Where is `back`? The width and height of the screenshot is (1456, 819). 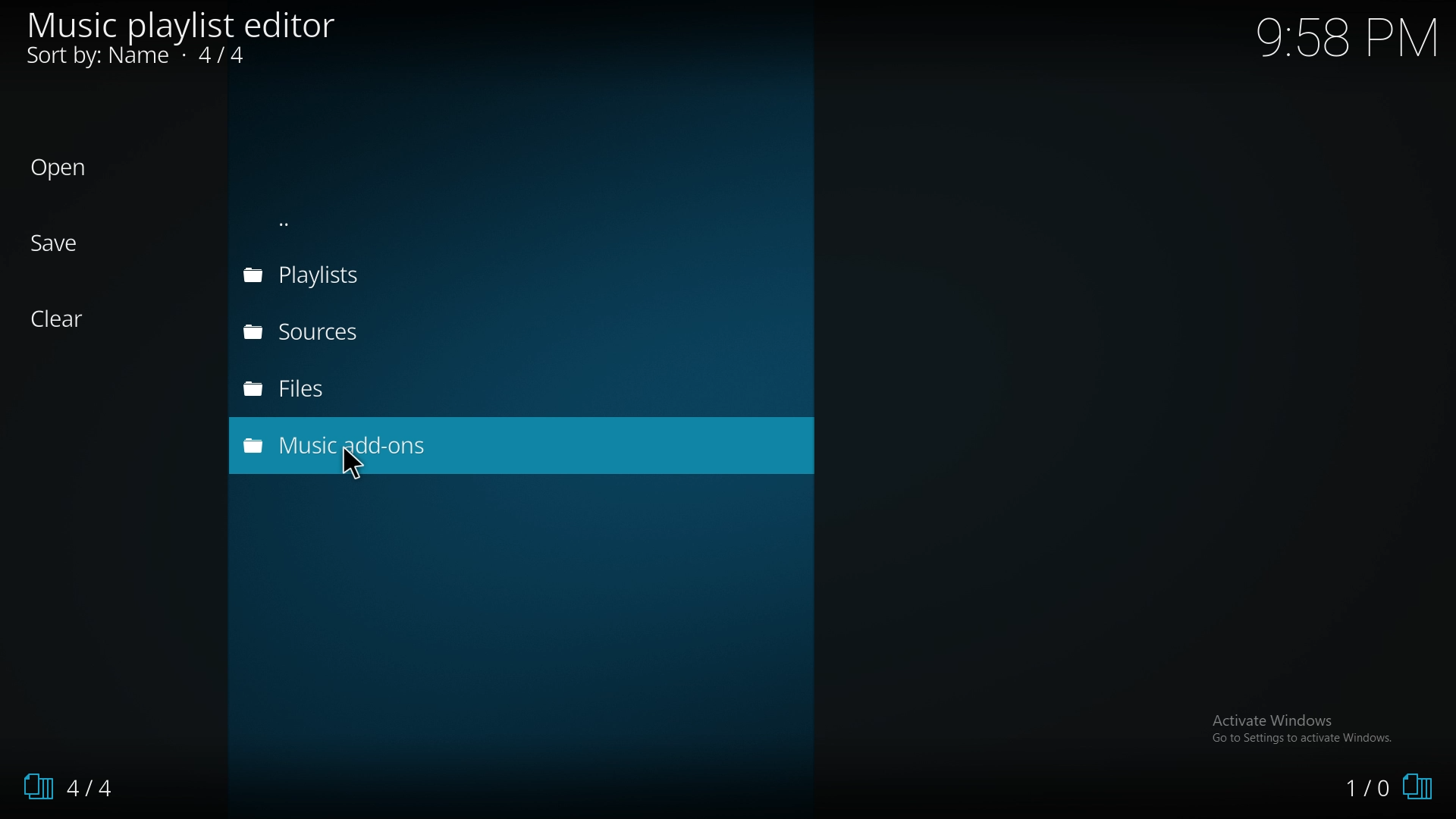
back is located at coordinates (413, 224).